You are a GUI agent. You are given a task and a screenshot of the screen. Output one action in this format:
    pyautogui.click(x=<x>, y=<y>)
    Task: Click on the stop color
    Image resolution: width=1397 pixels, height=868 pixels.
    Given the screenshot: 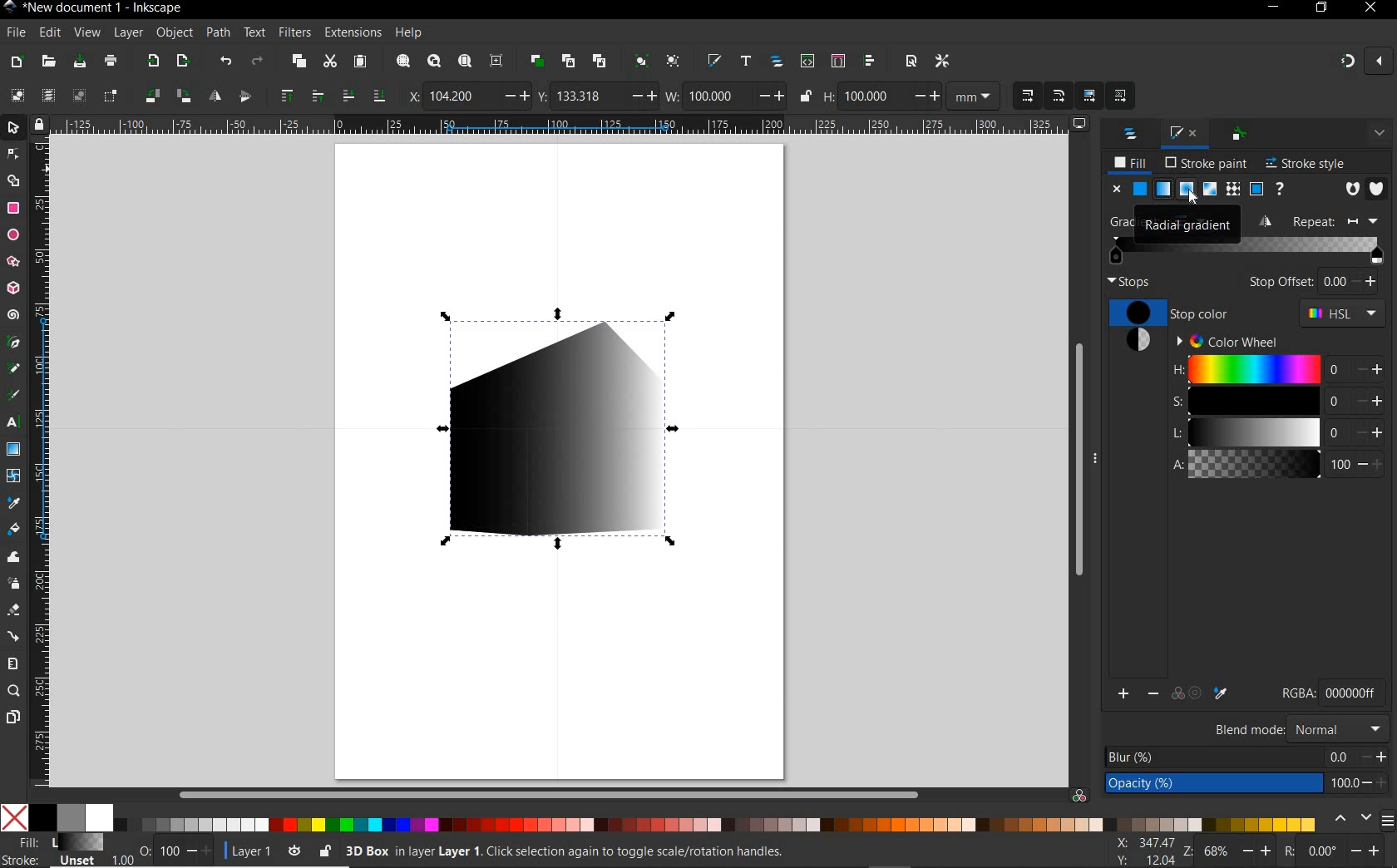 What is the action you would take?
    pyautogui.click(x=1172, y=312)
    